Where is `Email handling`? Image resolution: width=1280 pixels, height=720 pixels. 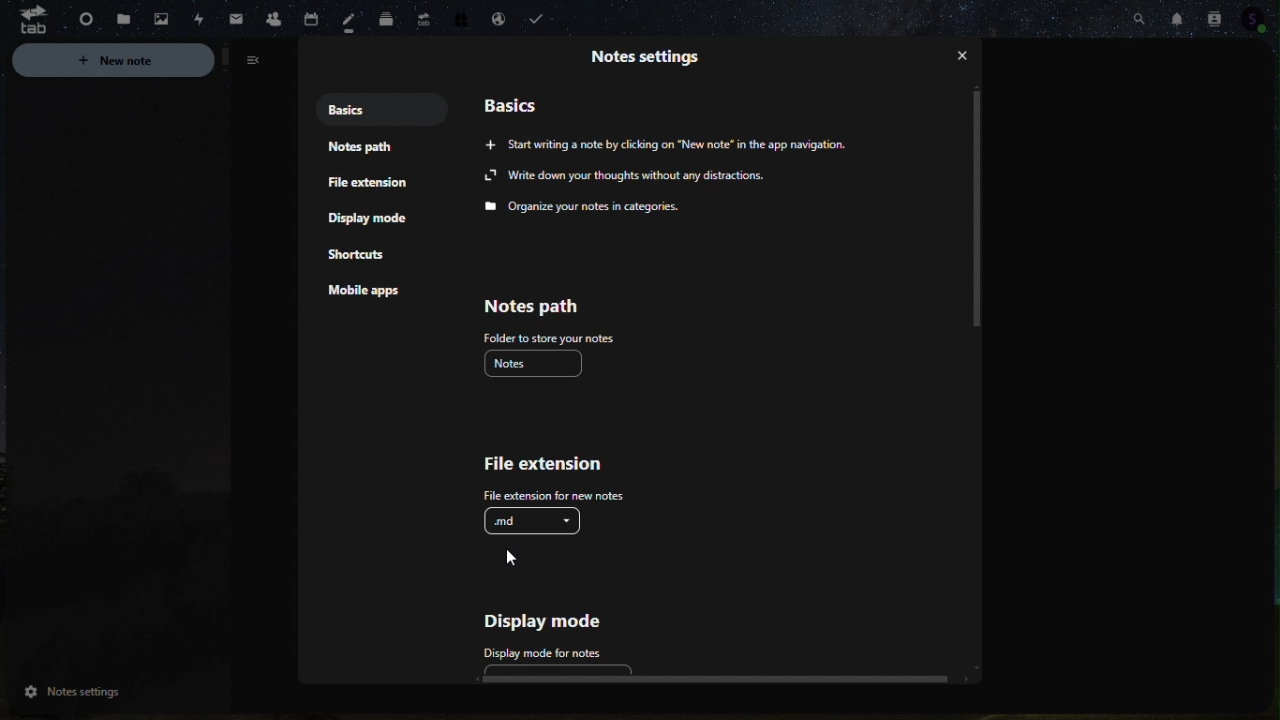 Email handling is located at coordinates (497, 21).